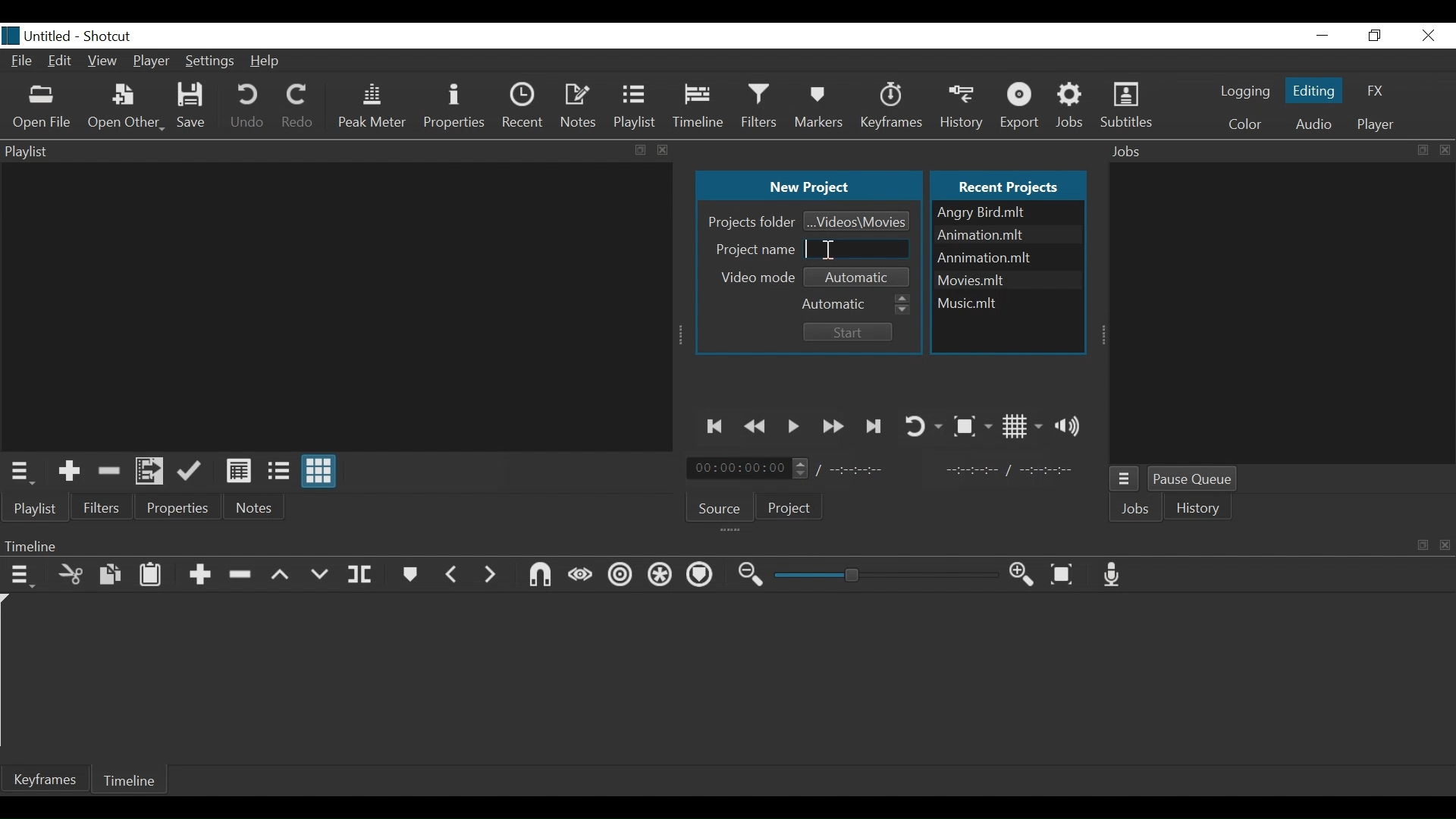  What do you see at coordinates (1280, 151) in the screenshot?
I see `Jobs Panel` at bounding box center [1280, 151].